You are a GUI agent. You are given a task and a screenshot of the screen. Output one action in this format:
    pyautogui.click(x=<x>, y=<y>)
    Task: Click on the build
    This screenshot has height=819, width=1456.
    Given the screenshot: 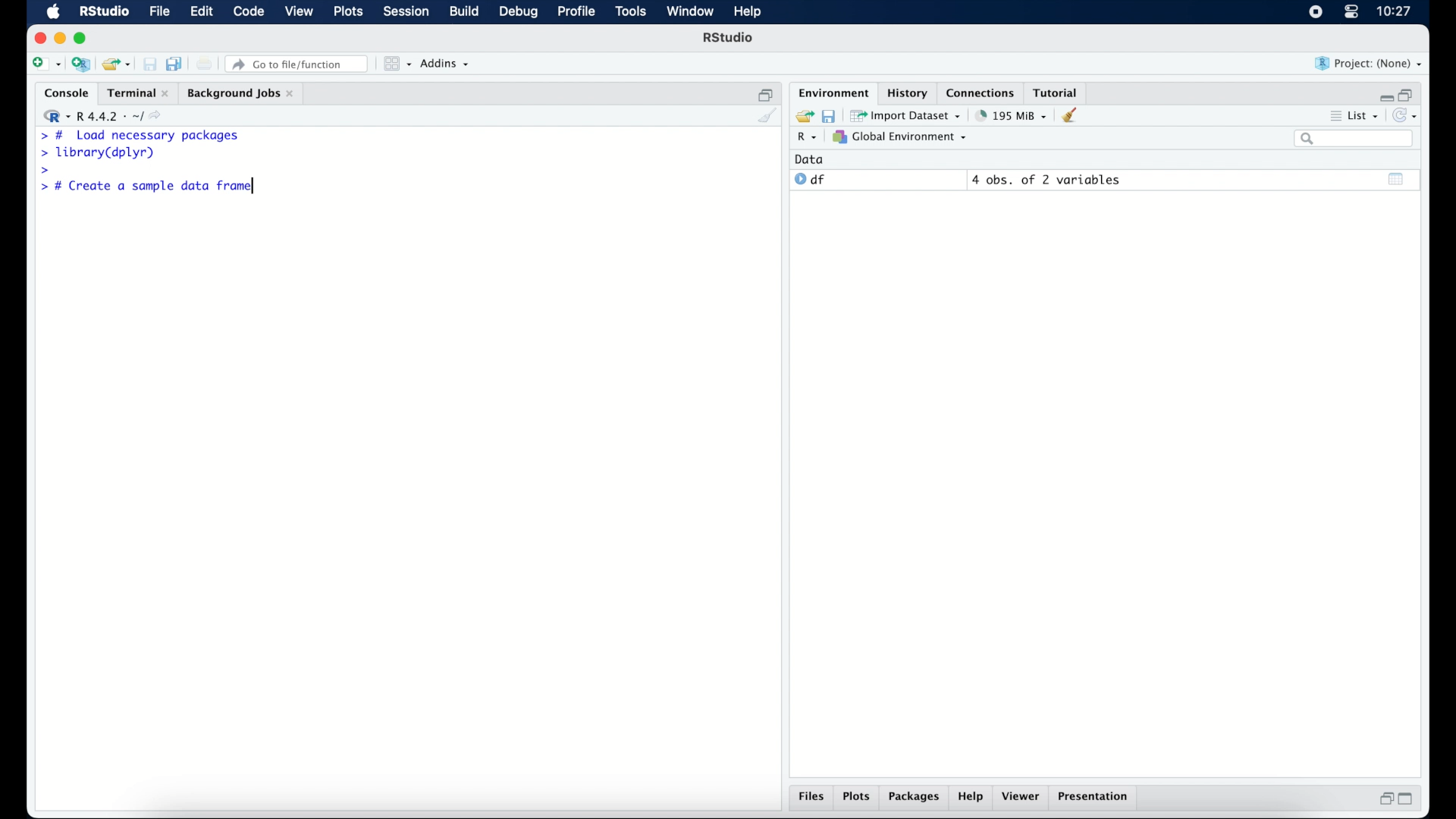 What is the action you would take?
    pyautogui.click(x=463, y=12)
    